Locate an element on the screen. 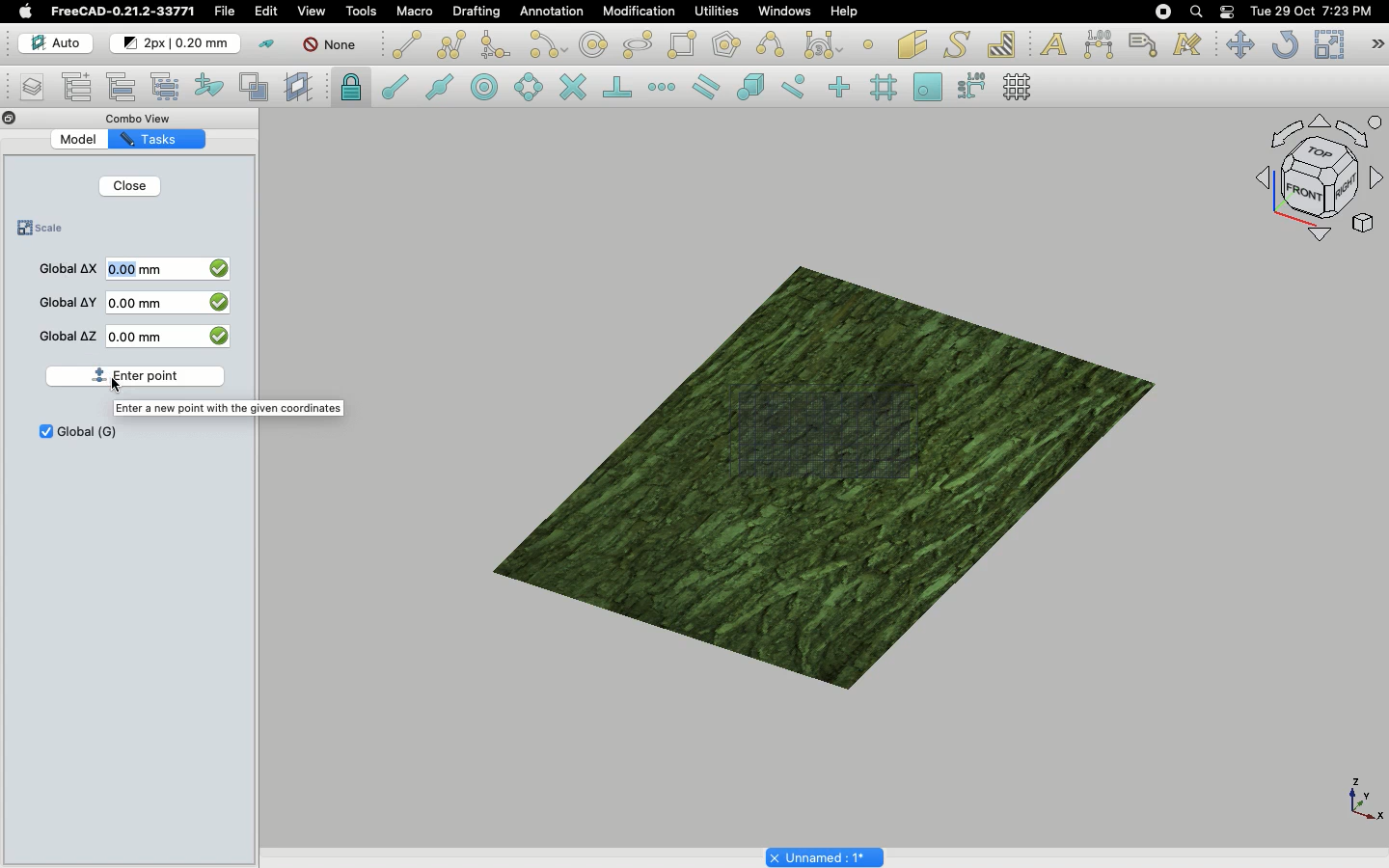  Notification is located at coordinates (1228, 11).